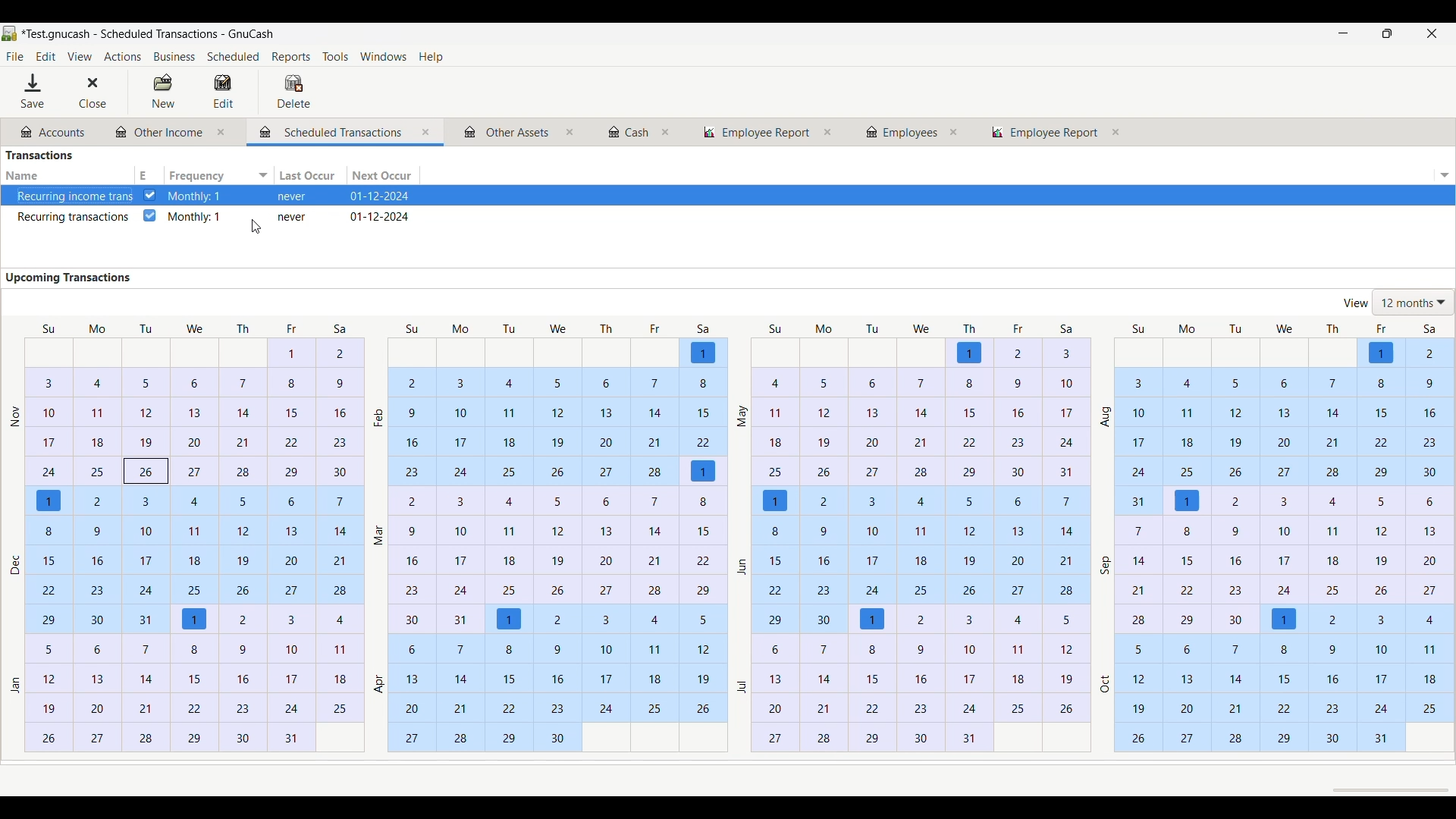 This screenshot has height=819, width=1456. I want to click on Create new, so click(162, 91).